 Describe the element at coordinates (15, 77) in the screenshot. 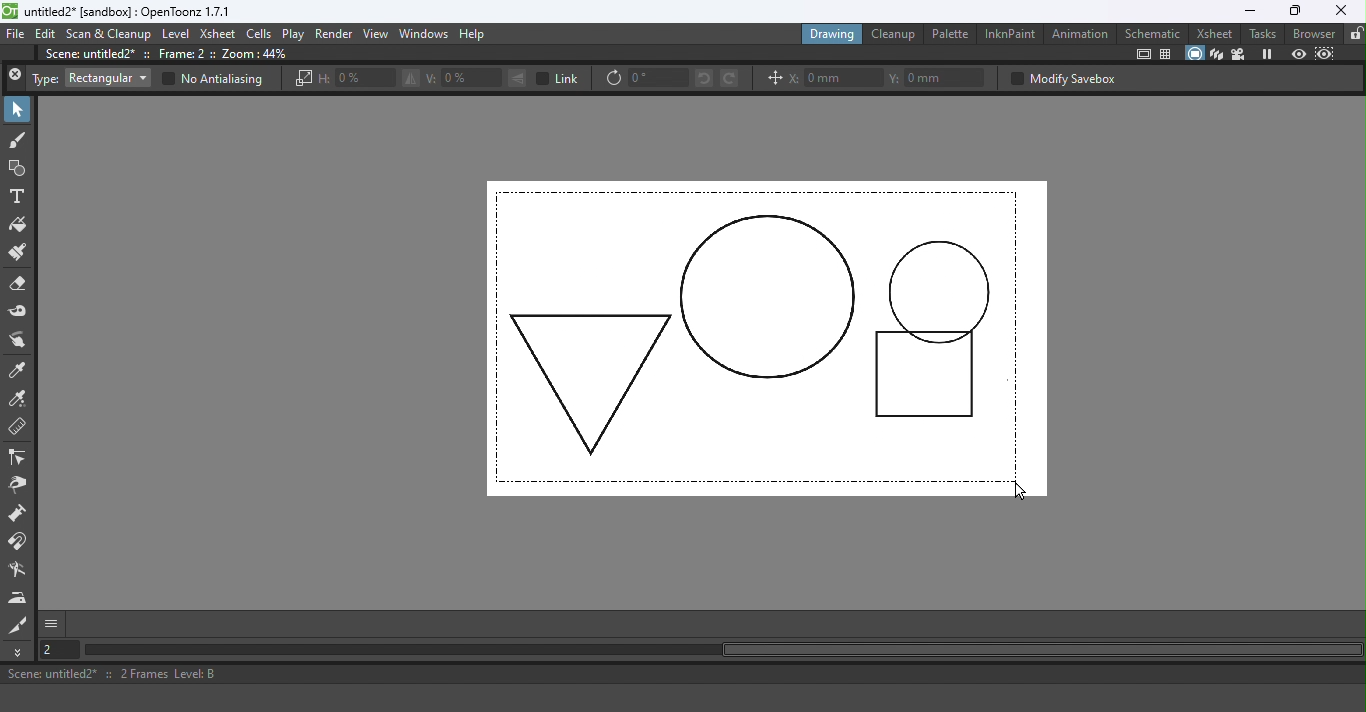

I see `Close` at that location.